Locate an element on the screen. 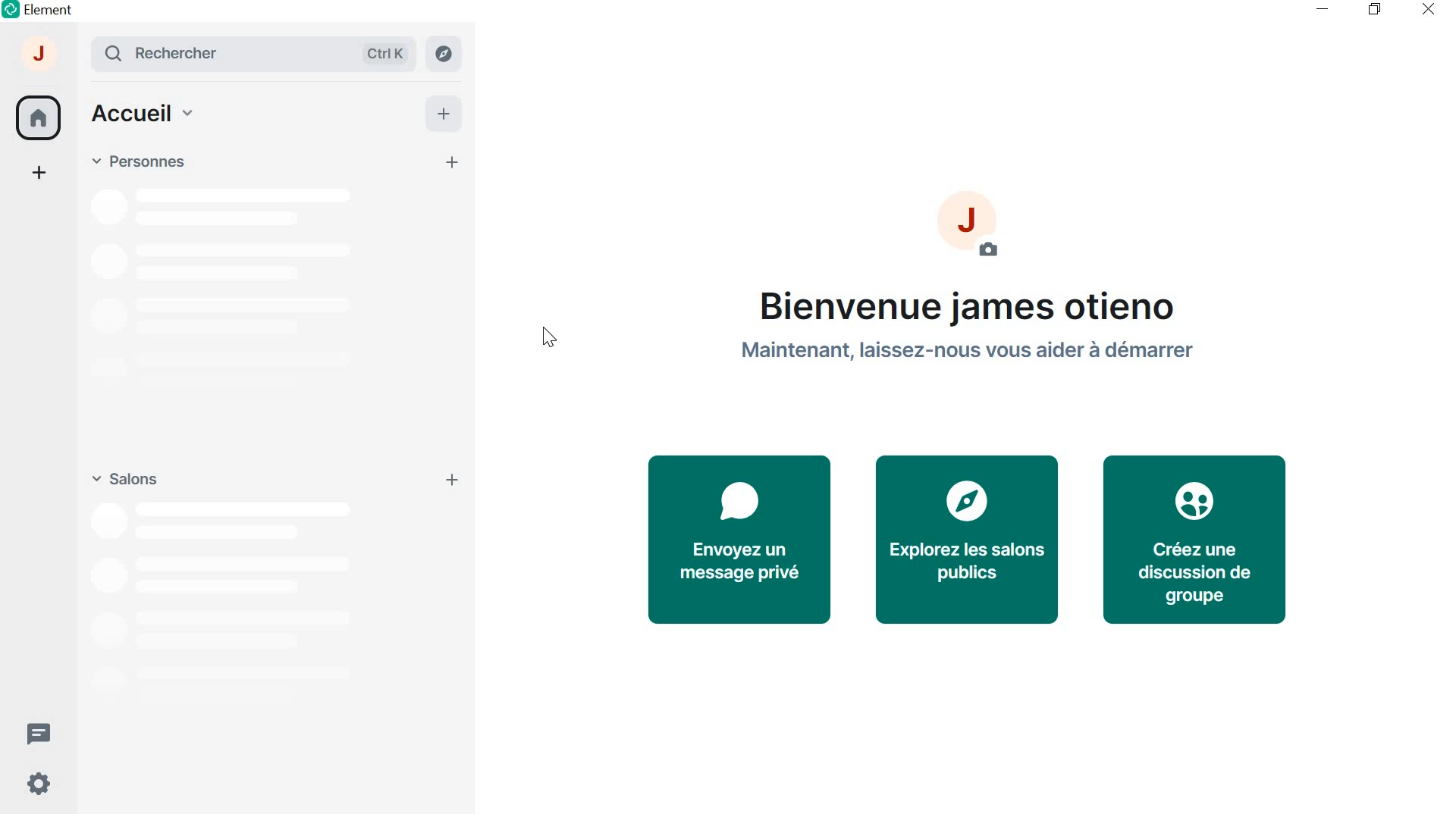 The height and width of the screenshot is (814, 1456). ACCOUNT is located at coordinates (40, 58).